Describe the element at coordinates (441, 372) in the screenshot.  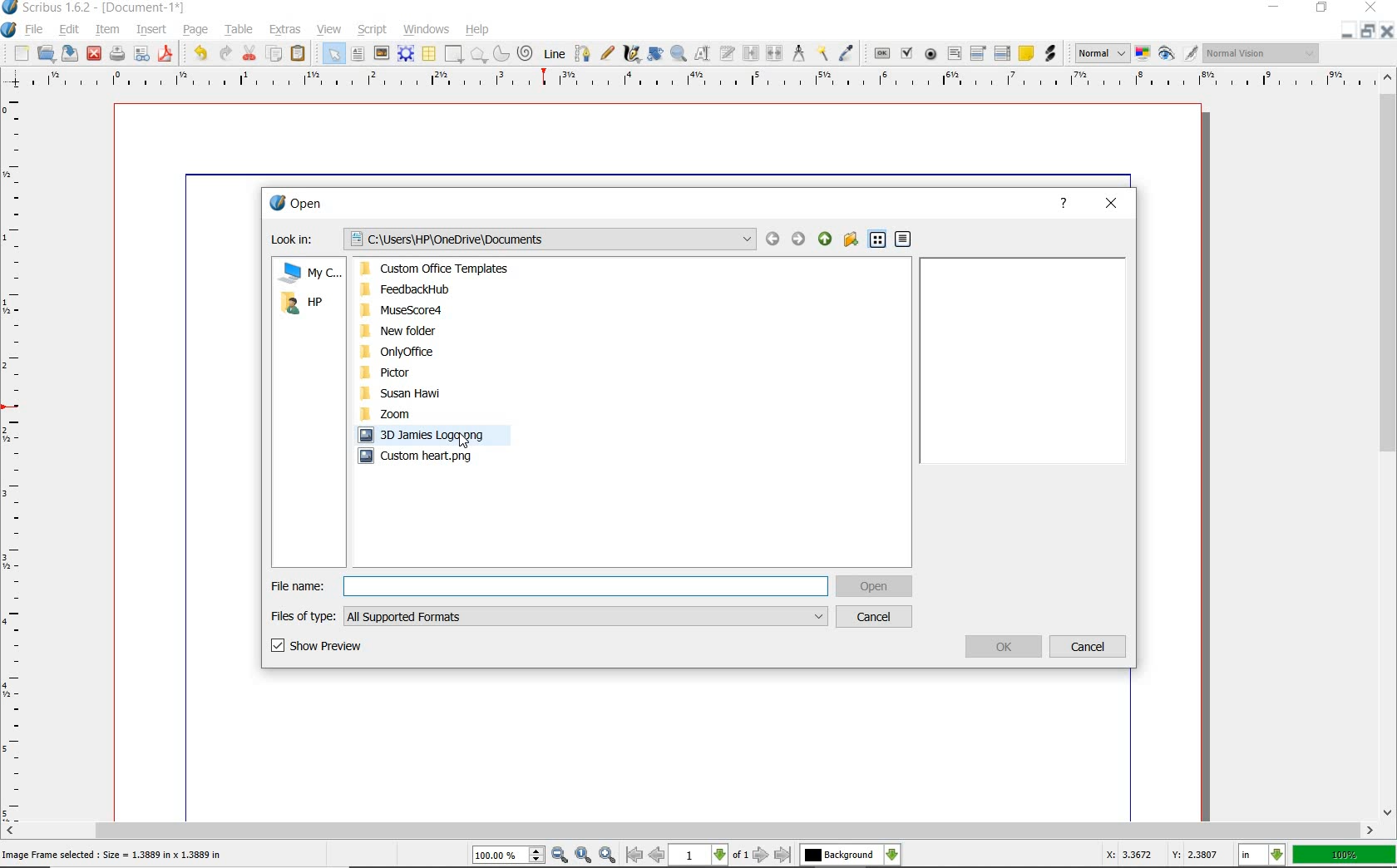
I see `Pictor` at that location.